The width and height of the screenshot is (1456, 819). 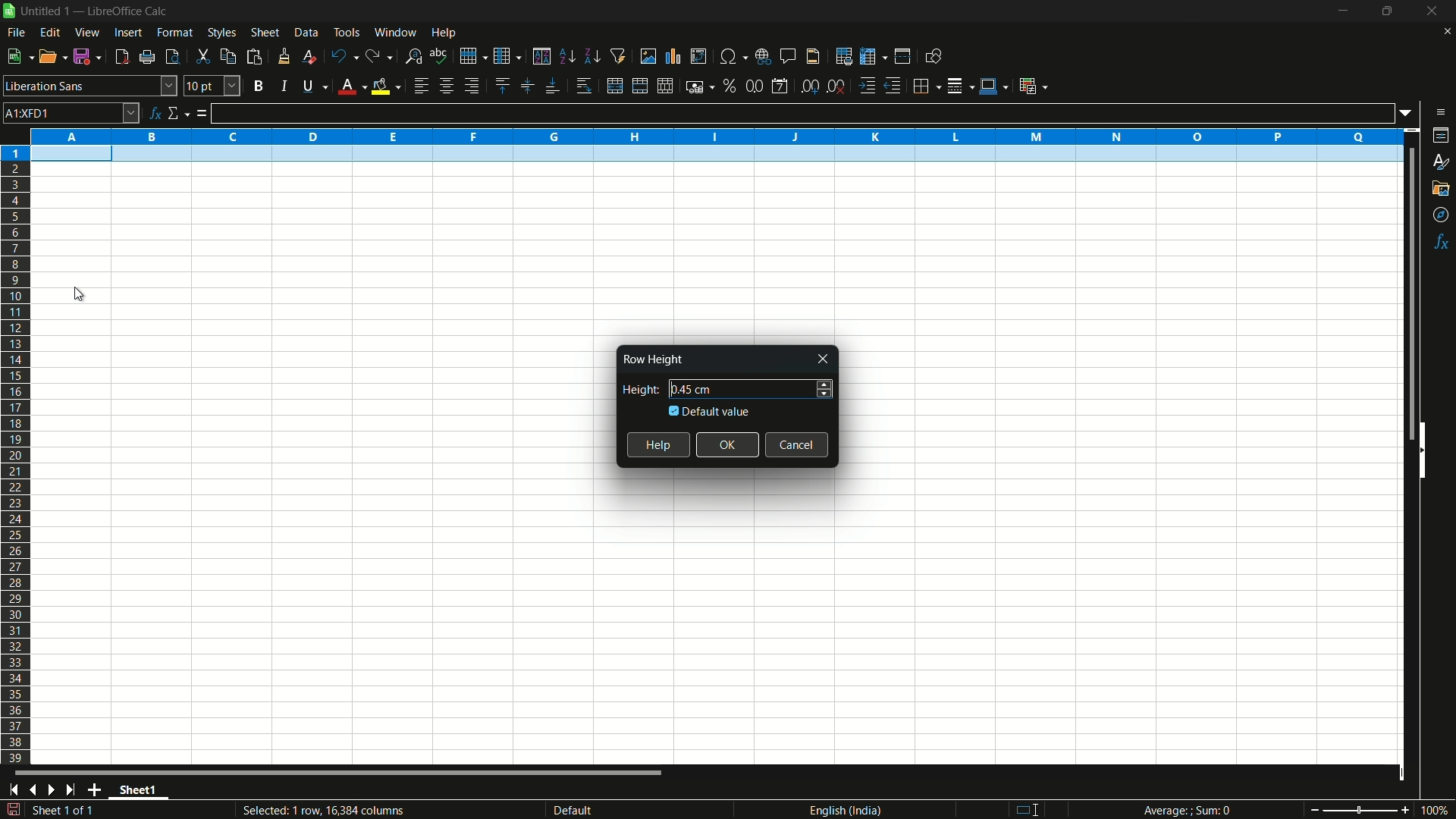 I want to click on Selected: 1 row, 16,384 columns, so click(x=320, y=809).